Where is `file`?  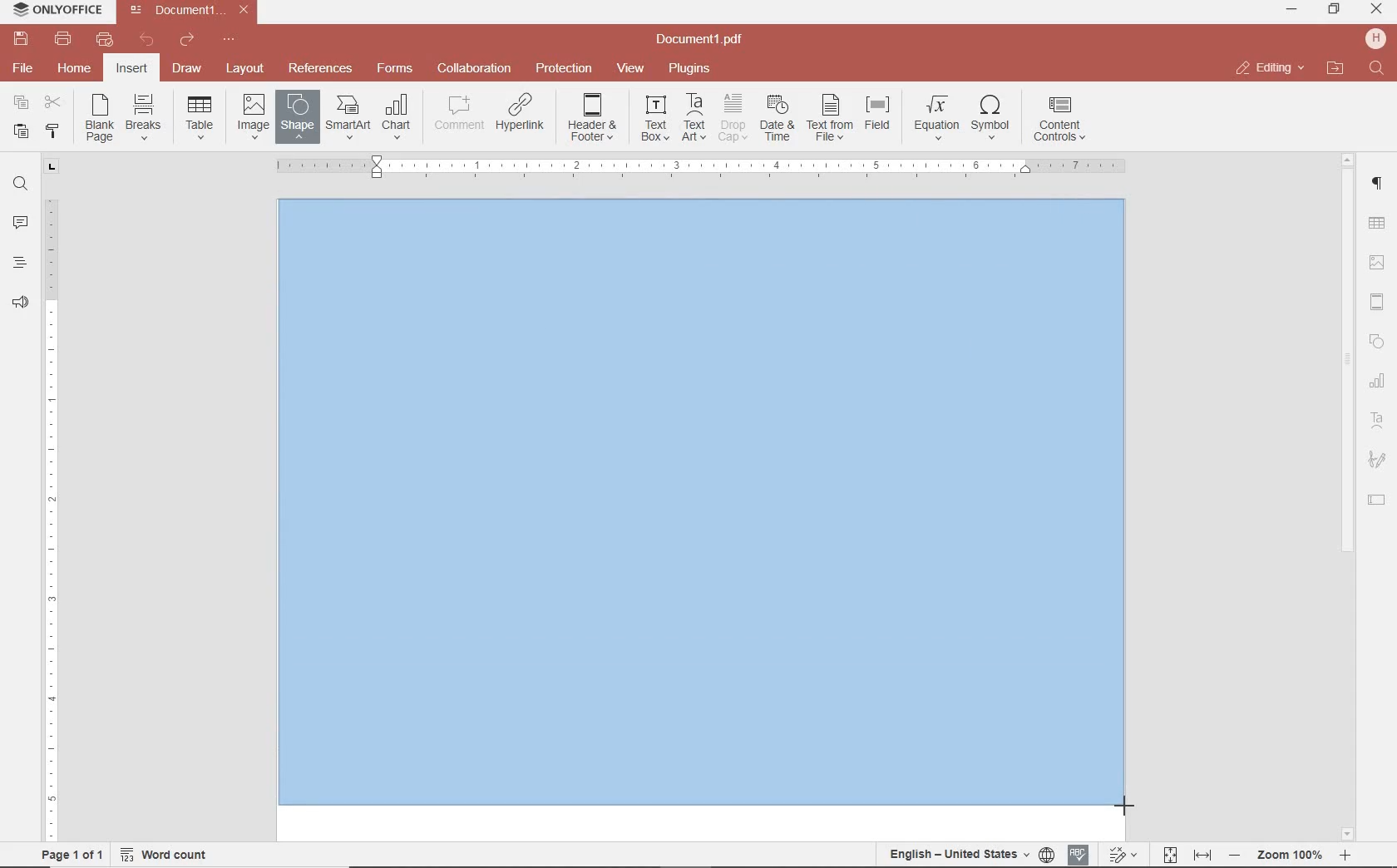 file is located at coordinates (24, 68).